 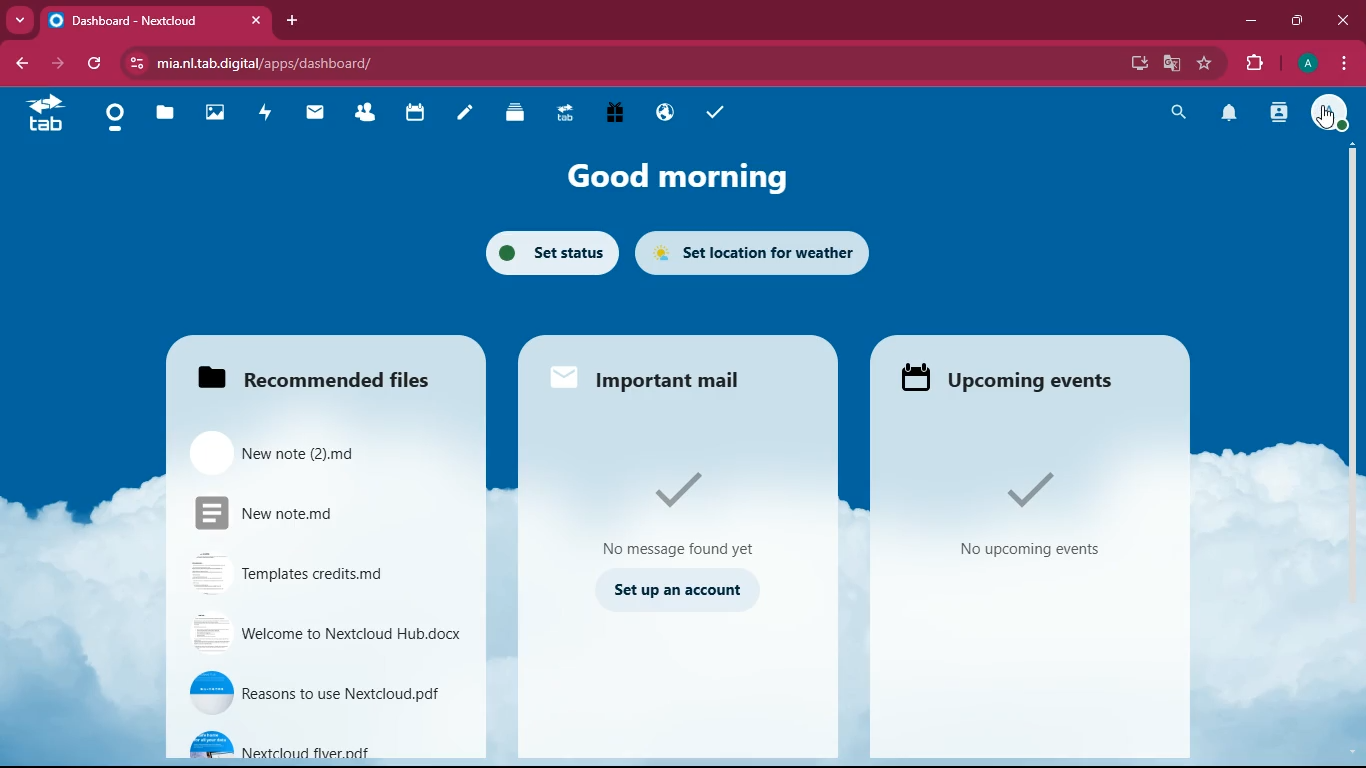 I want to click on tasks, so click(x=712, y=112).